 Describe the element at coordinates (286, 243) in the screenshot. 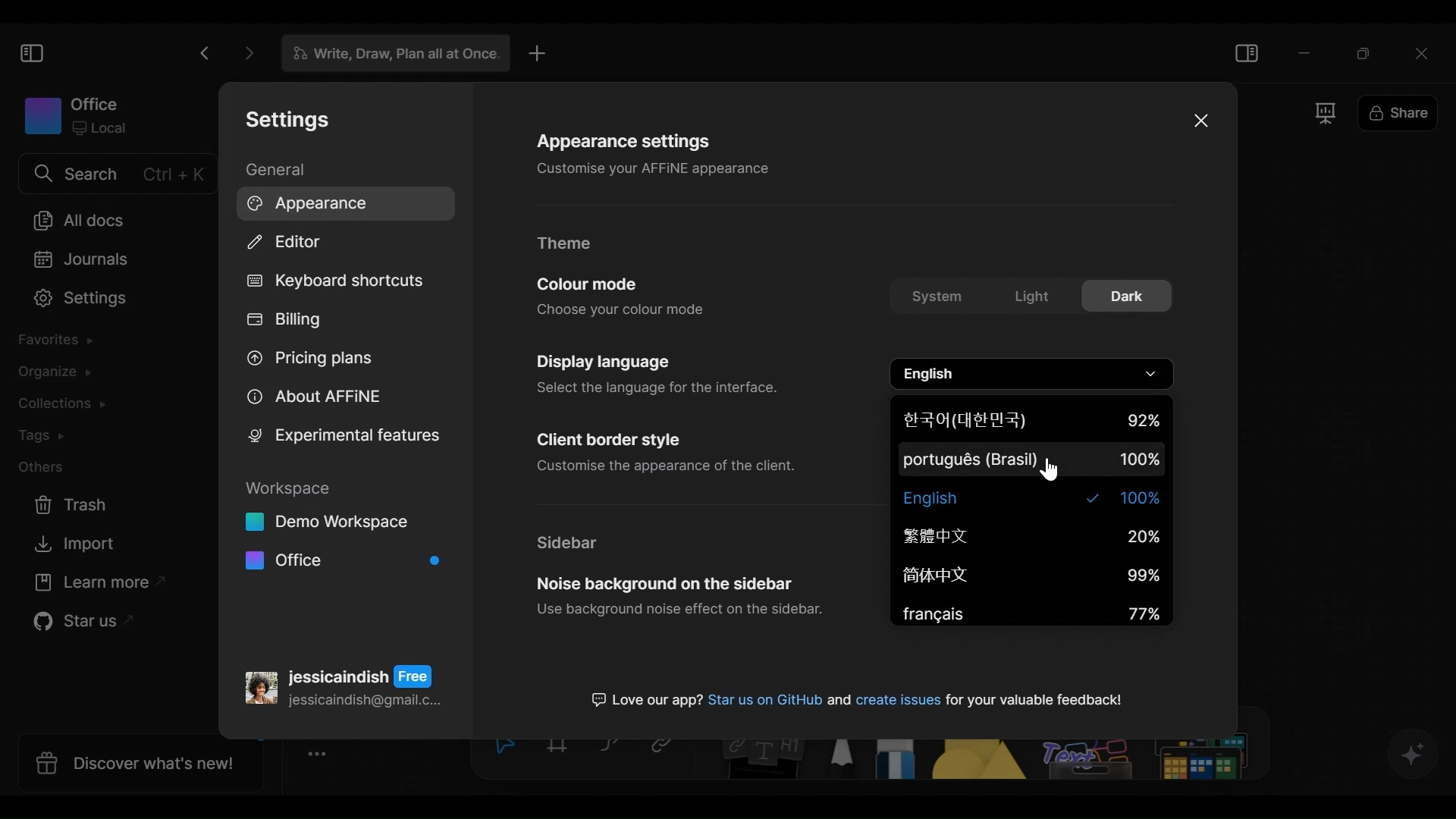

I see `Editor` at that location.